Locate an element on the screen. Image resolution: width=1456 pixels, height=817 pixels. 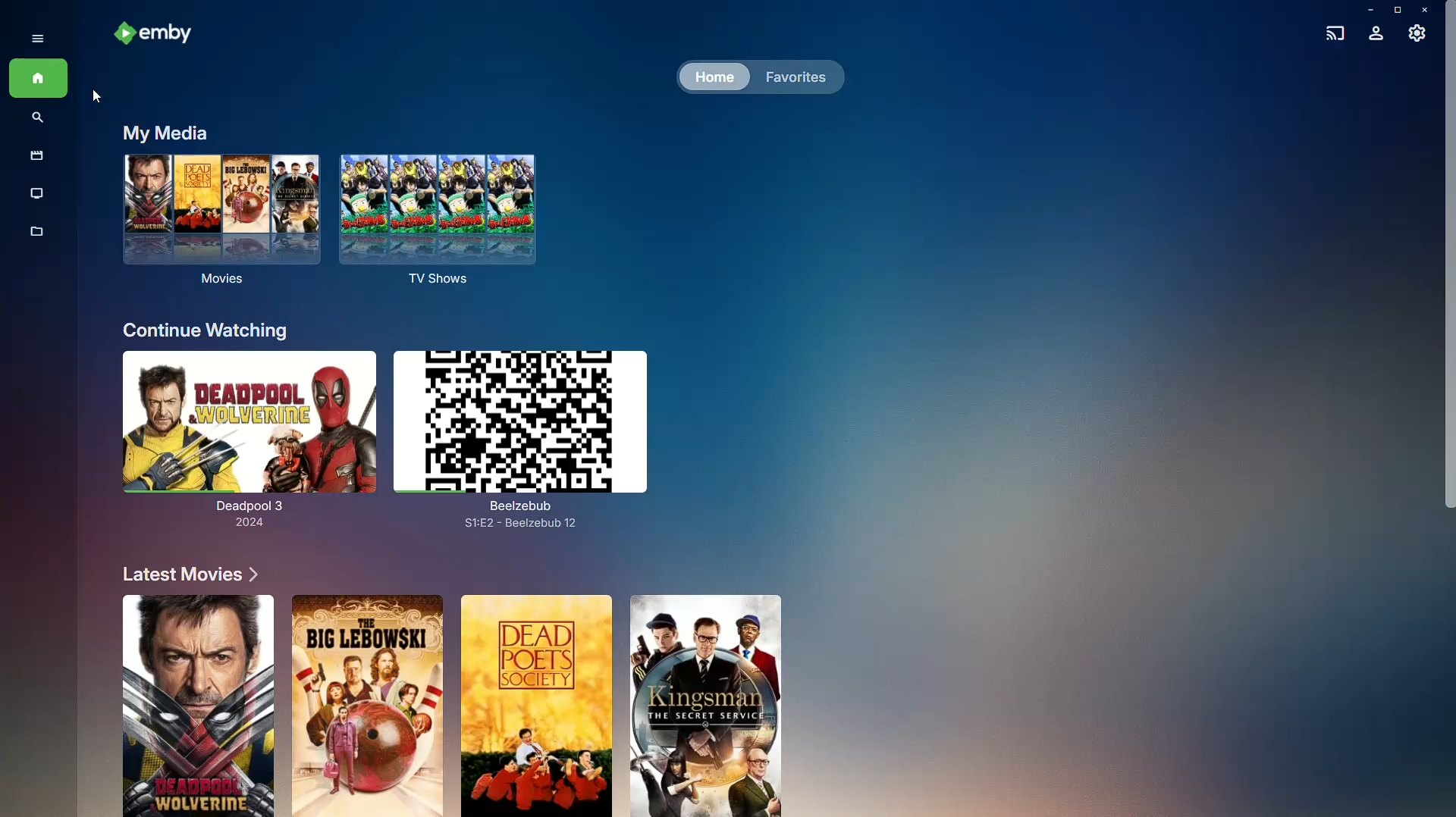
Continue Watching is located at coordinates (206, 330).